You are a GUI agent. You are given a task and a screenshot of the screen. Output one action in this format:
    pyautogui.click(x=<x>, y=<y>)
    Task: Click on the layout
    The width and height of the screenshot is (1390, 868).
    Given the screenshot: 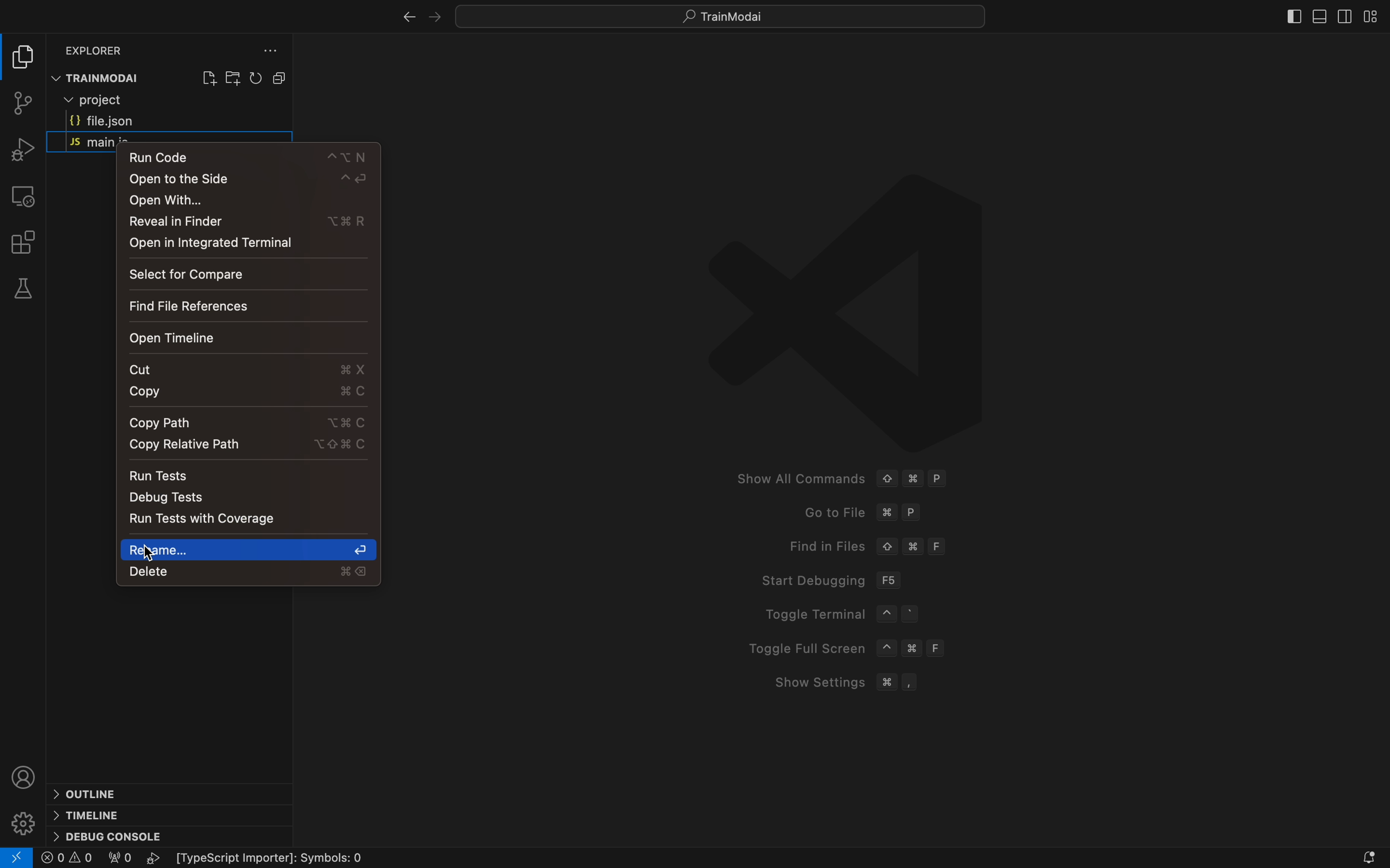 What is the action you would take?
    pyautogui.click(x=1374, y=17)
    